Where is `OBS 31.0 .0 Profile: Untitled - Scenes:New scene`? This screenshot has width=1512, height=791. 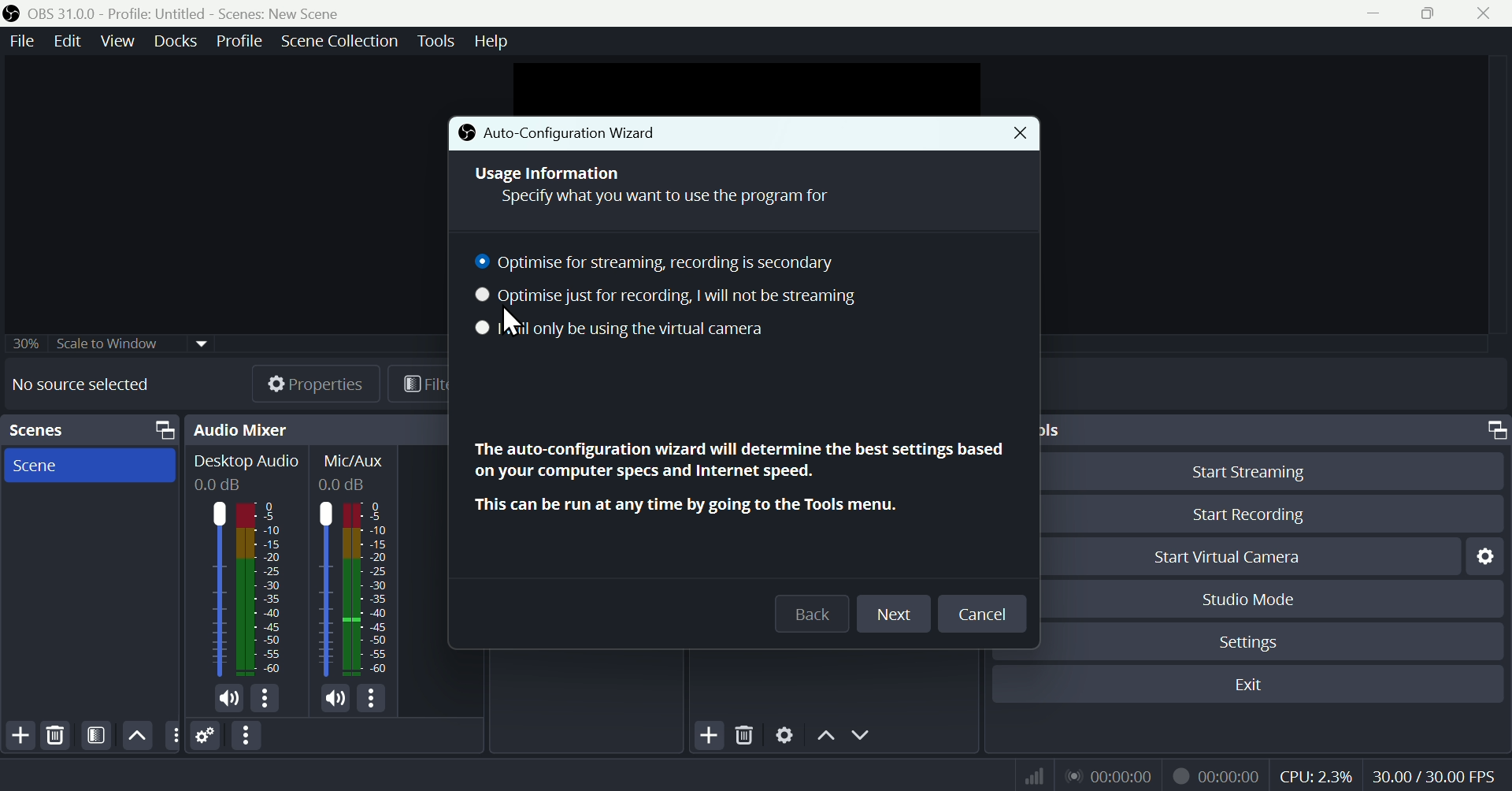
OBS 31.0 .0 Profile: Untitled - Scenes:New scene is located at coordinates (187, 13).